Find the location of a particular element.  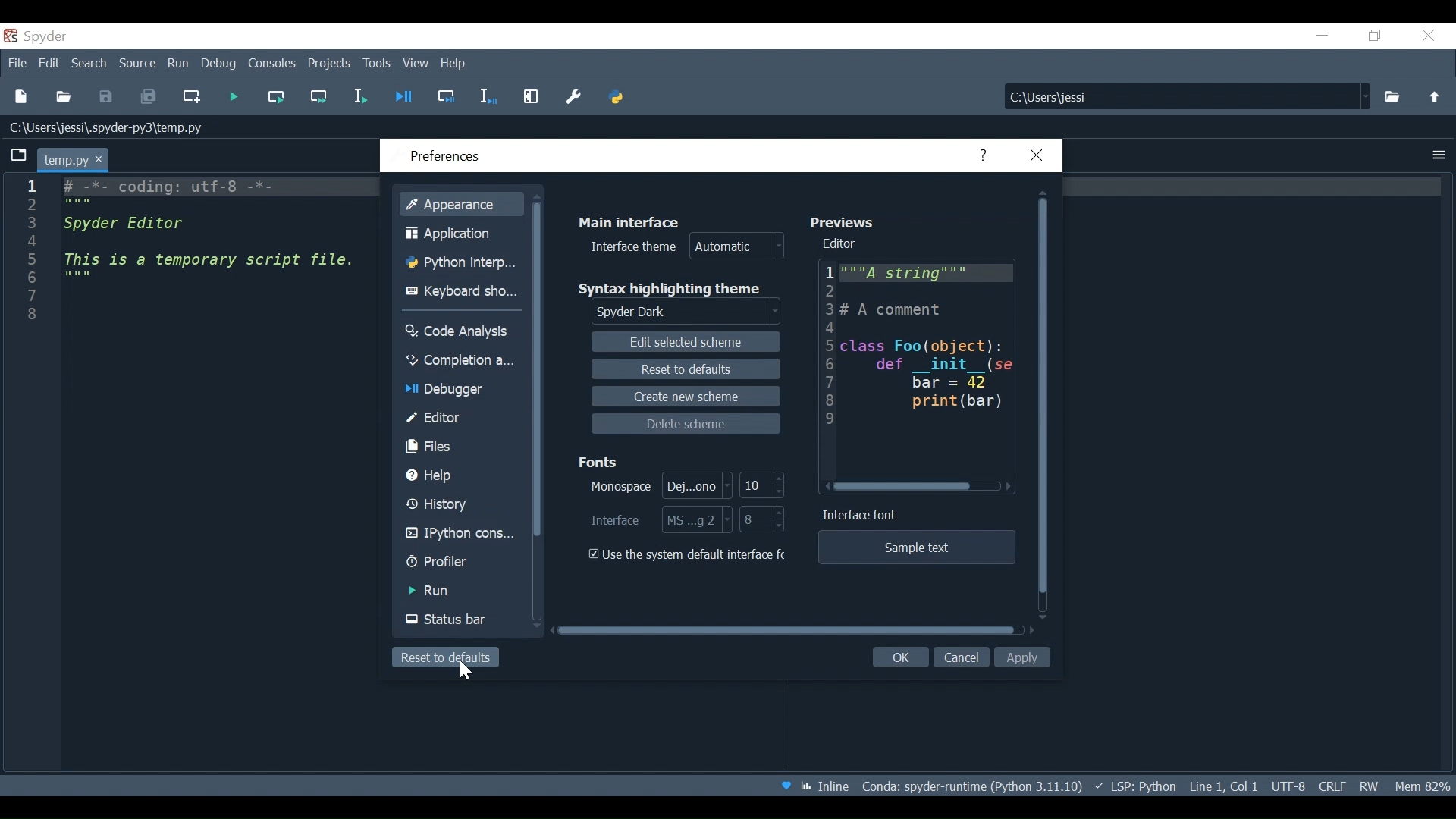

File Encoding is located at coordinates (1287, 786).